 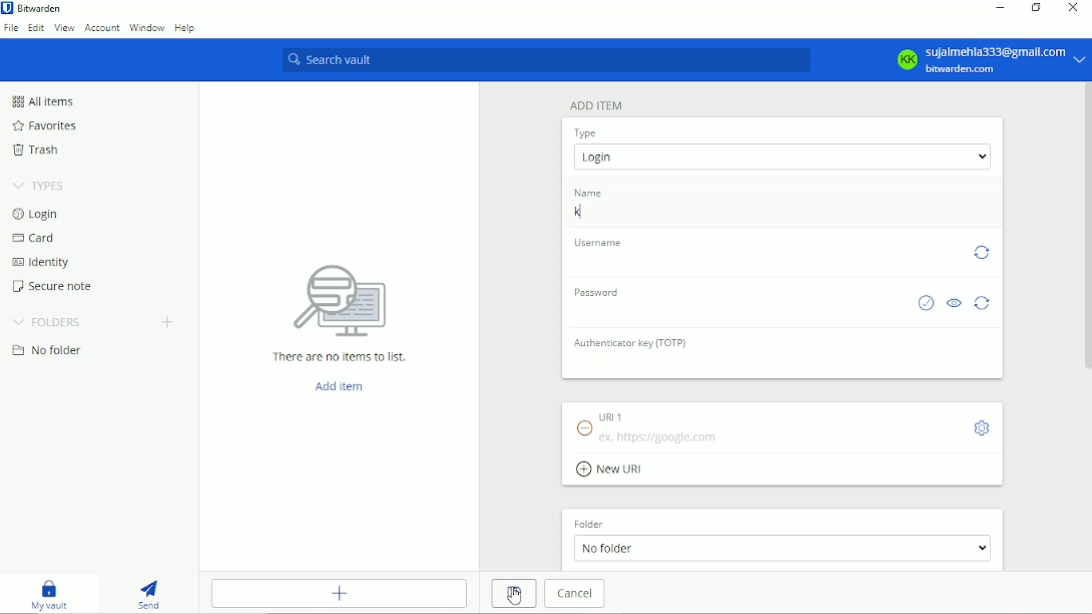 What do you see at coordinates (736, 313) in the screenshot?
I see `add password` at bounding box center [736, 313].